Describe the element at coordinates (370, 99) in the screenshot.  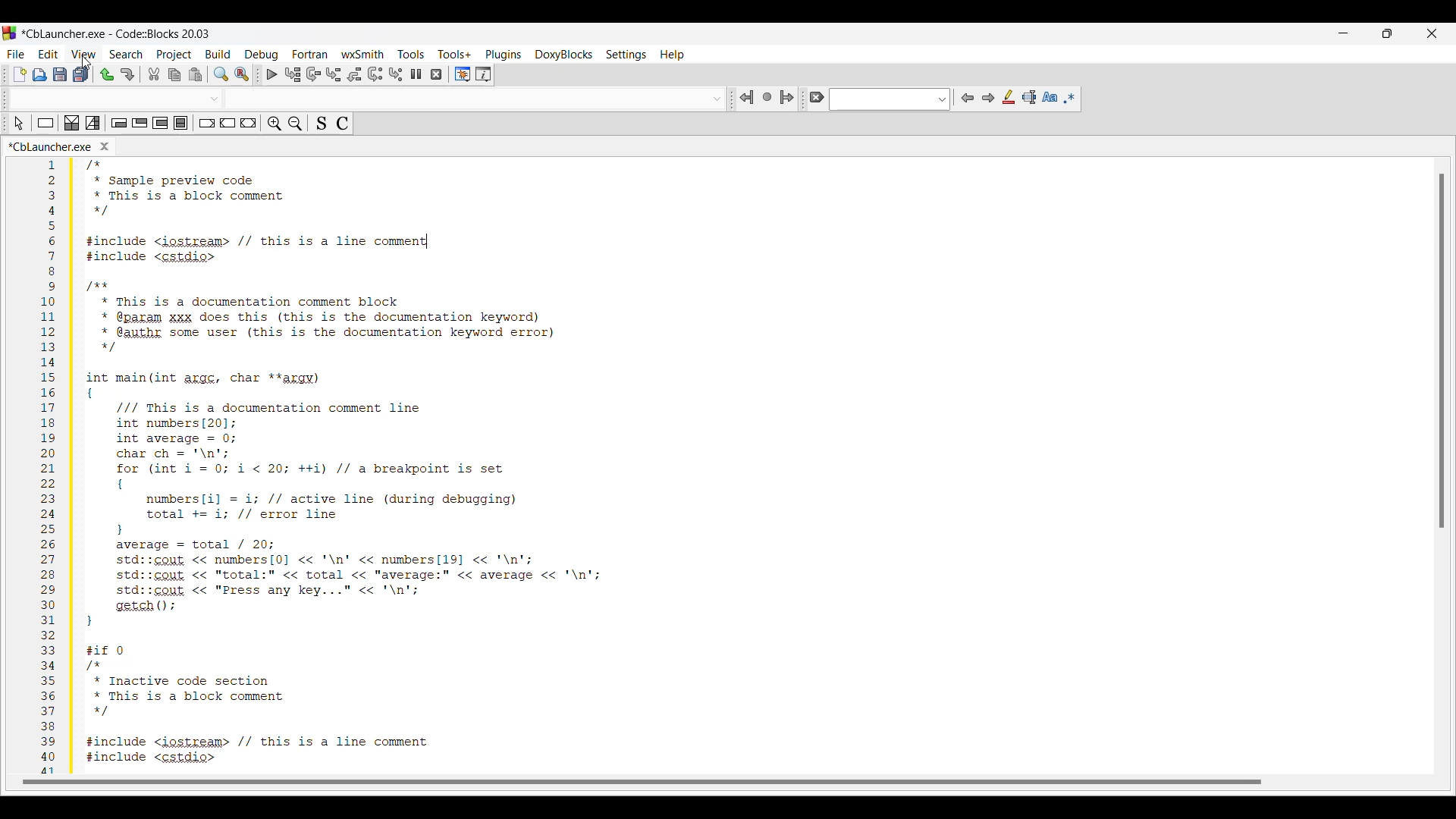
I see `tab` at that location.